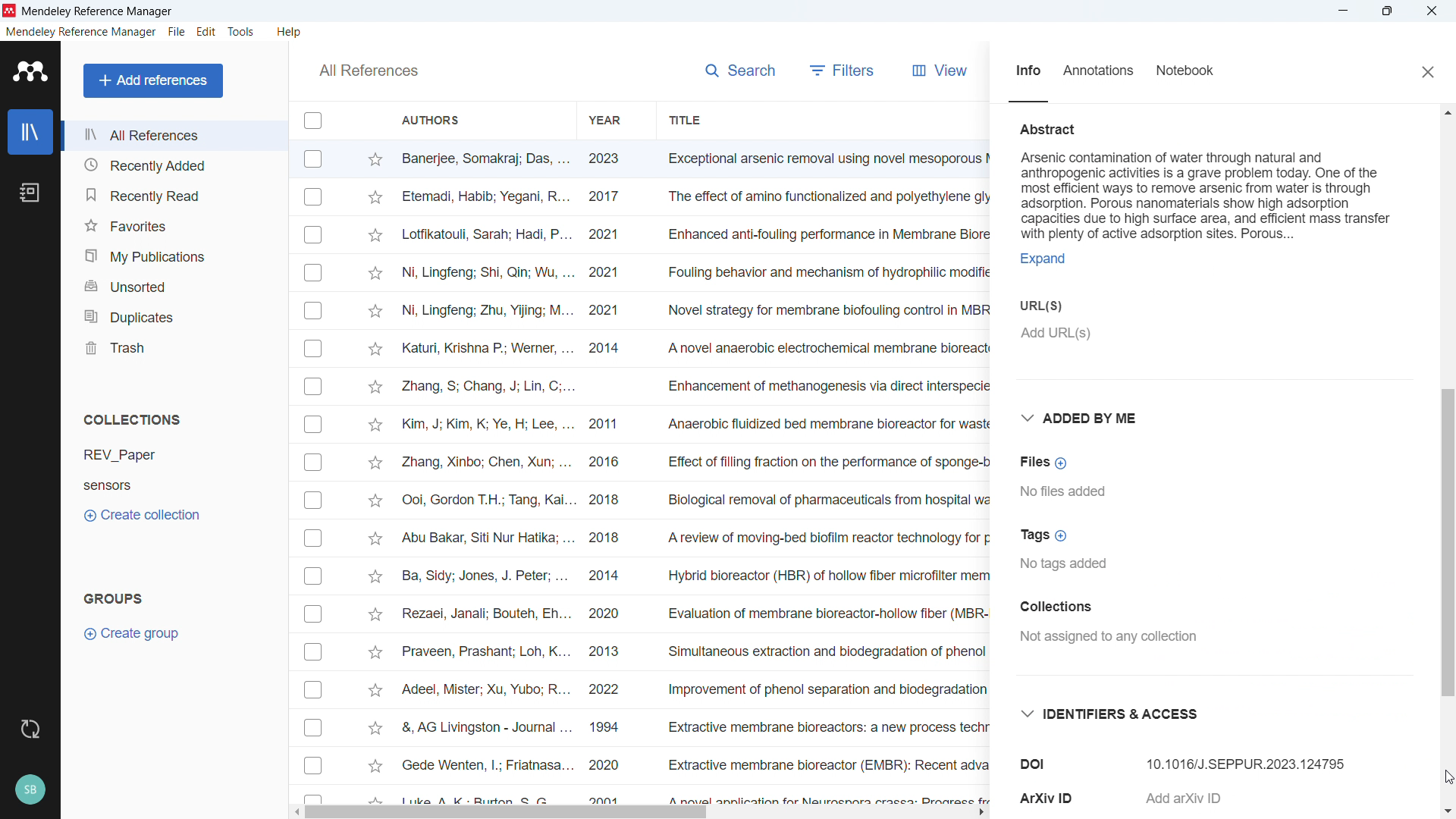  What do you see at coordinates (1042, 534) in the screenshot?
I see `Add tags ` at bounding box center [1042, 534].